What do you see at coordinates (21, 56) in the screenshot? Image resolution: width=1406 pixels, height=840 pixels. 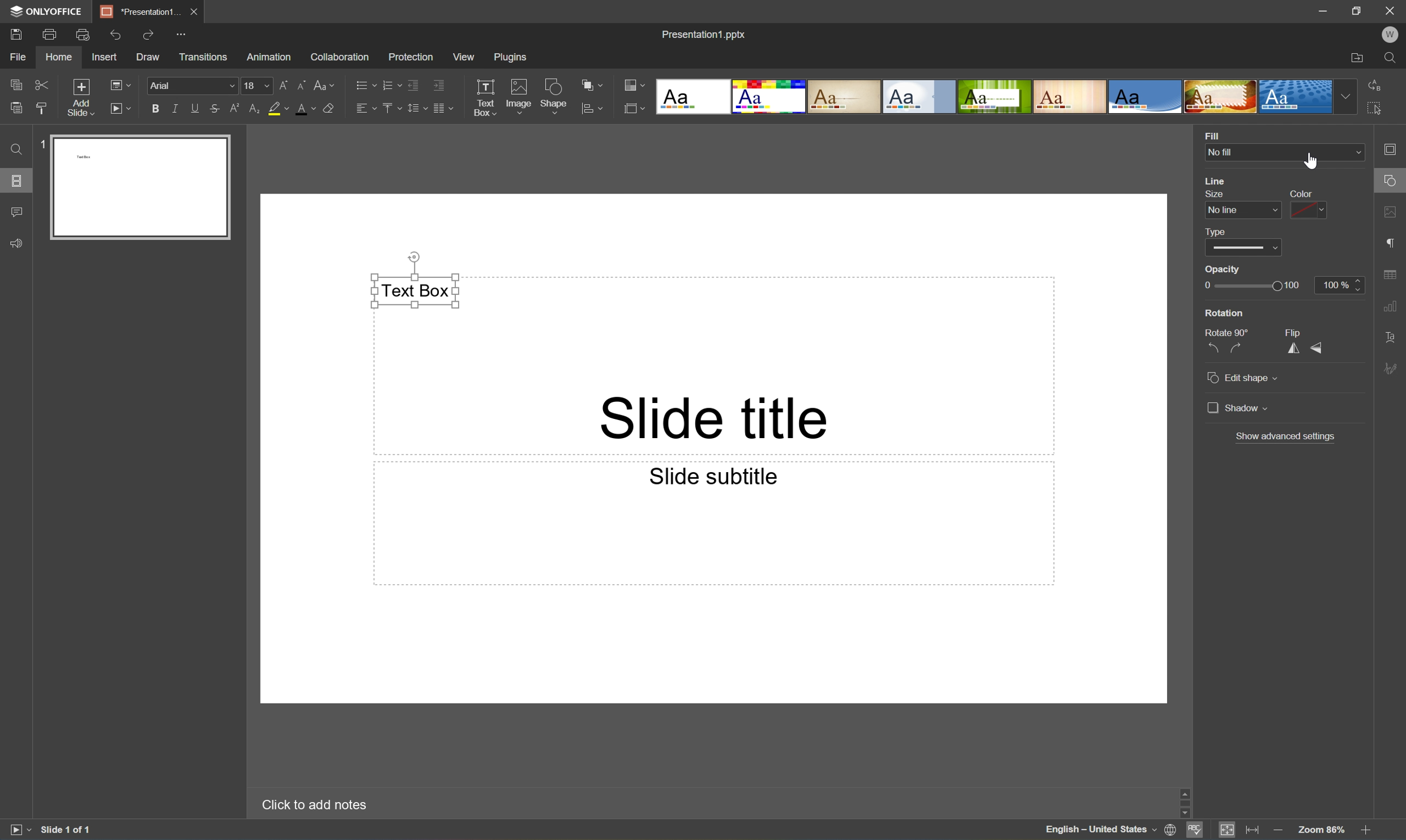 I see `File` at bounding box center [21, 56].